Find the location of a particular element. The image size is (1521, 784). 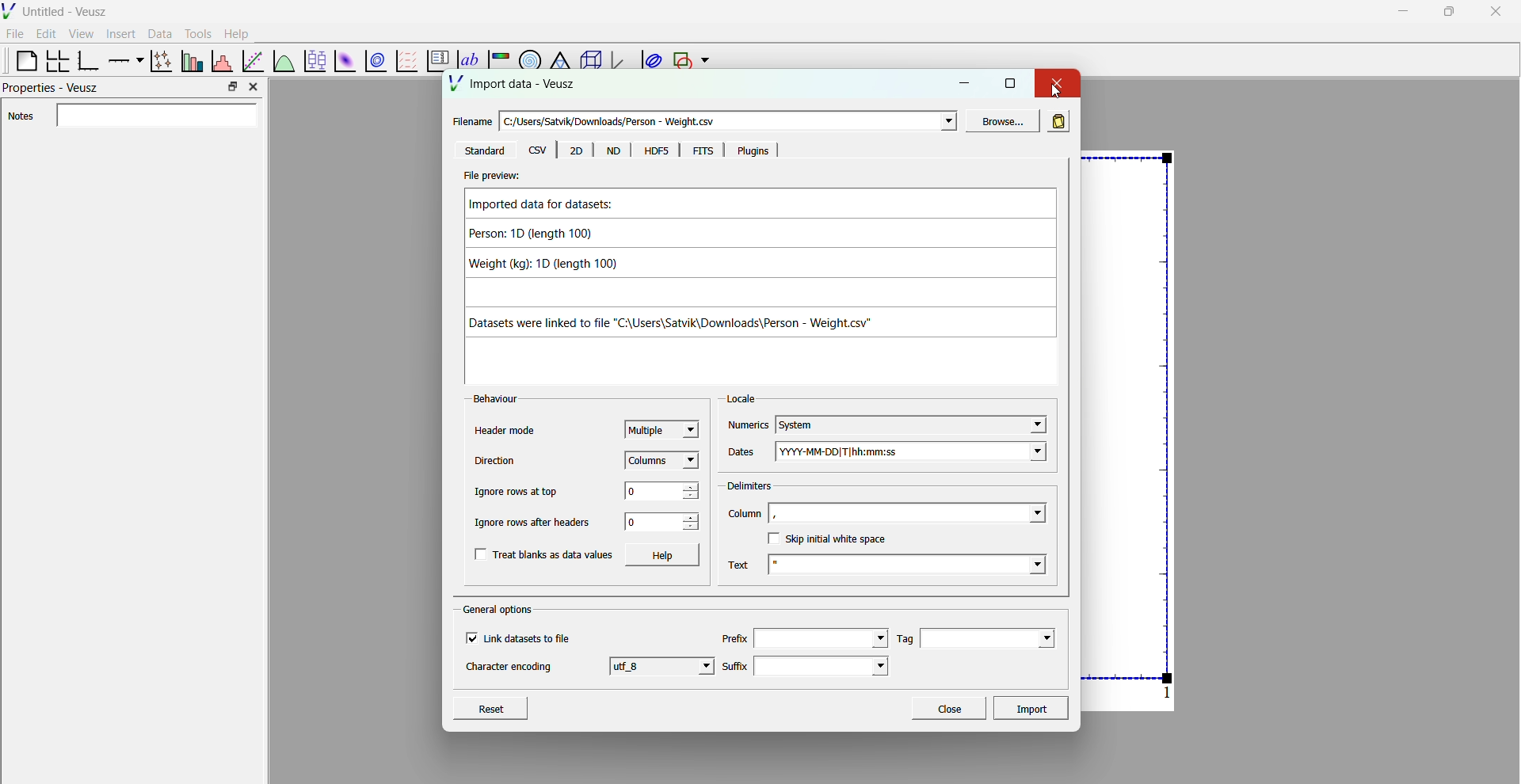

Up is located at coordinates (1047, 197).